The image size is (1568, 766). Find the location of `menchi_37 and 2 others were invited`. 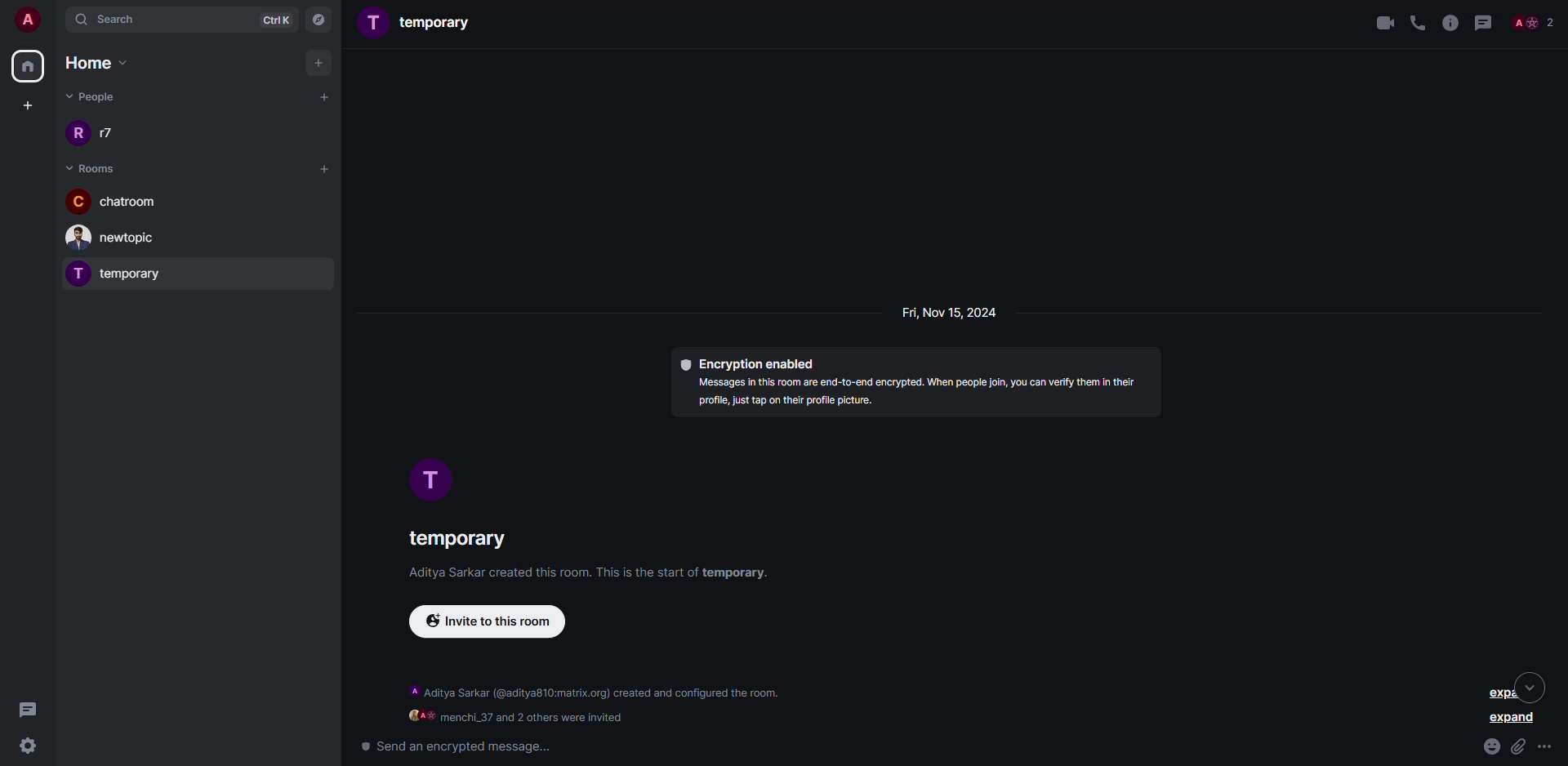

menchi_37 and 2 others were invited is located at coordinates (517, 717).